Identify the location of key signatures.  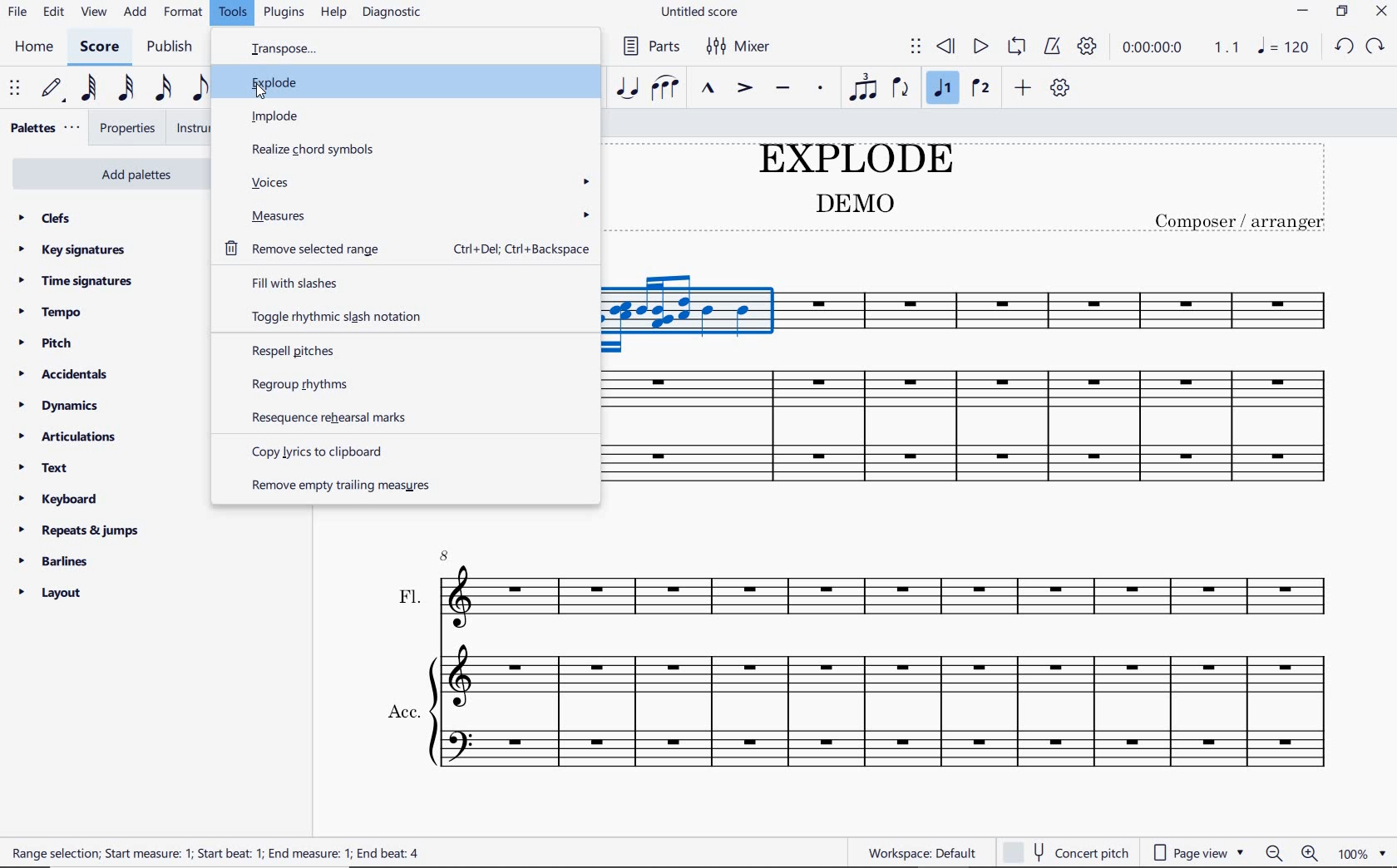
(72, 249).